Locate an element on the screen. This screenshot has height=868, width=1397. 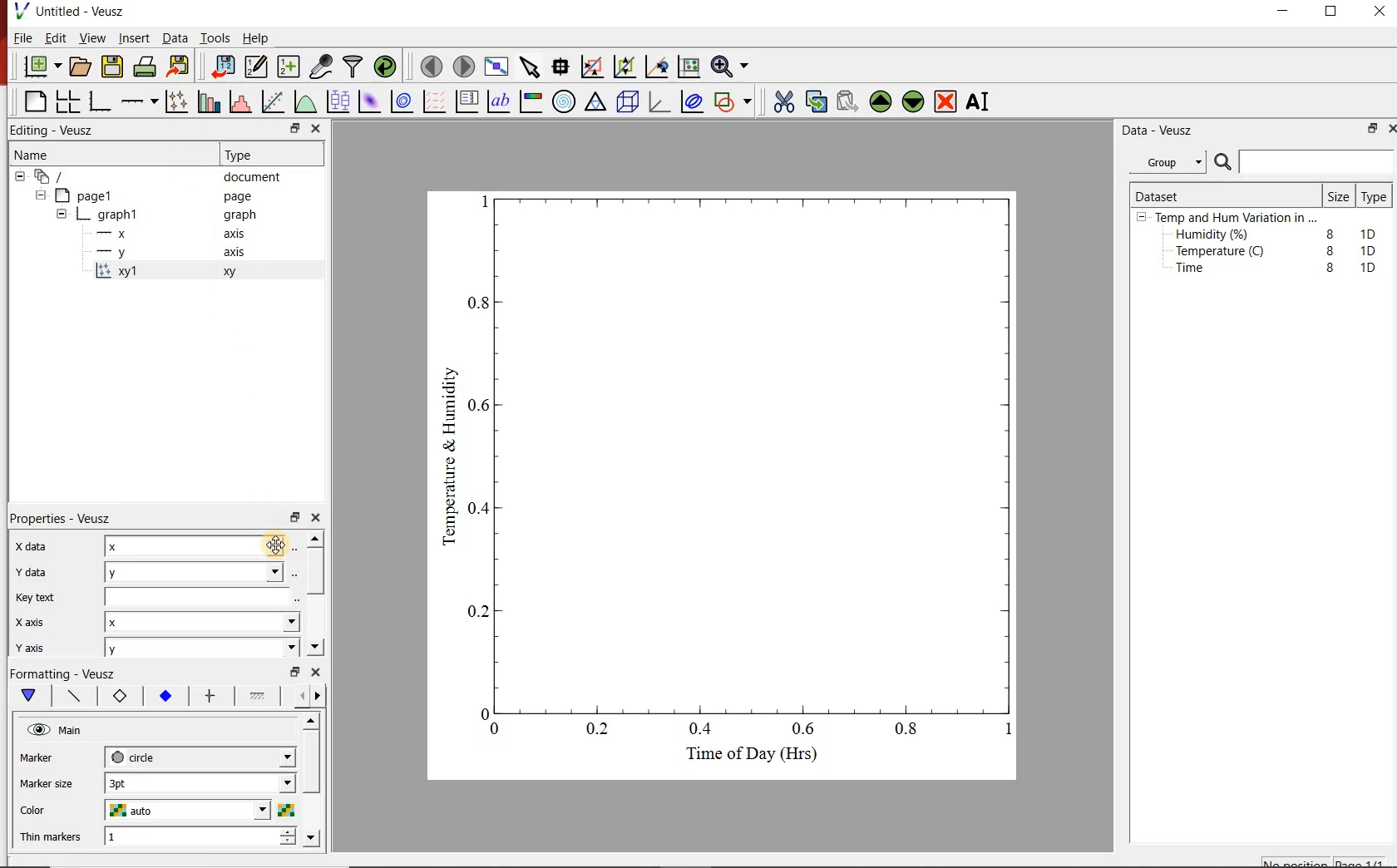
axis is located at coordinates (238, 254).